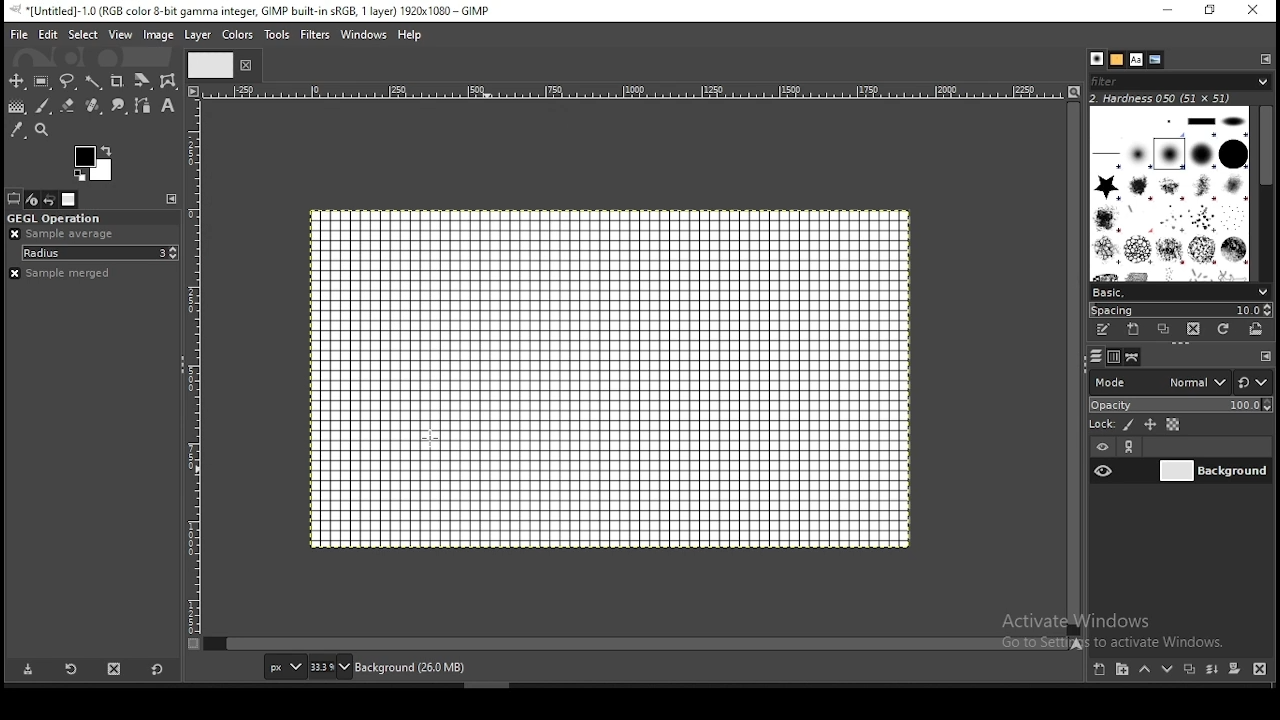  What do you see at coordinates (1214, 471) in the screenshot?
I see `layer` at bounding box center [1214, 471].